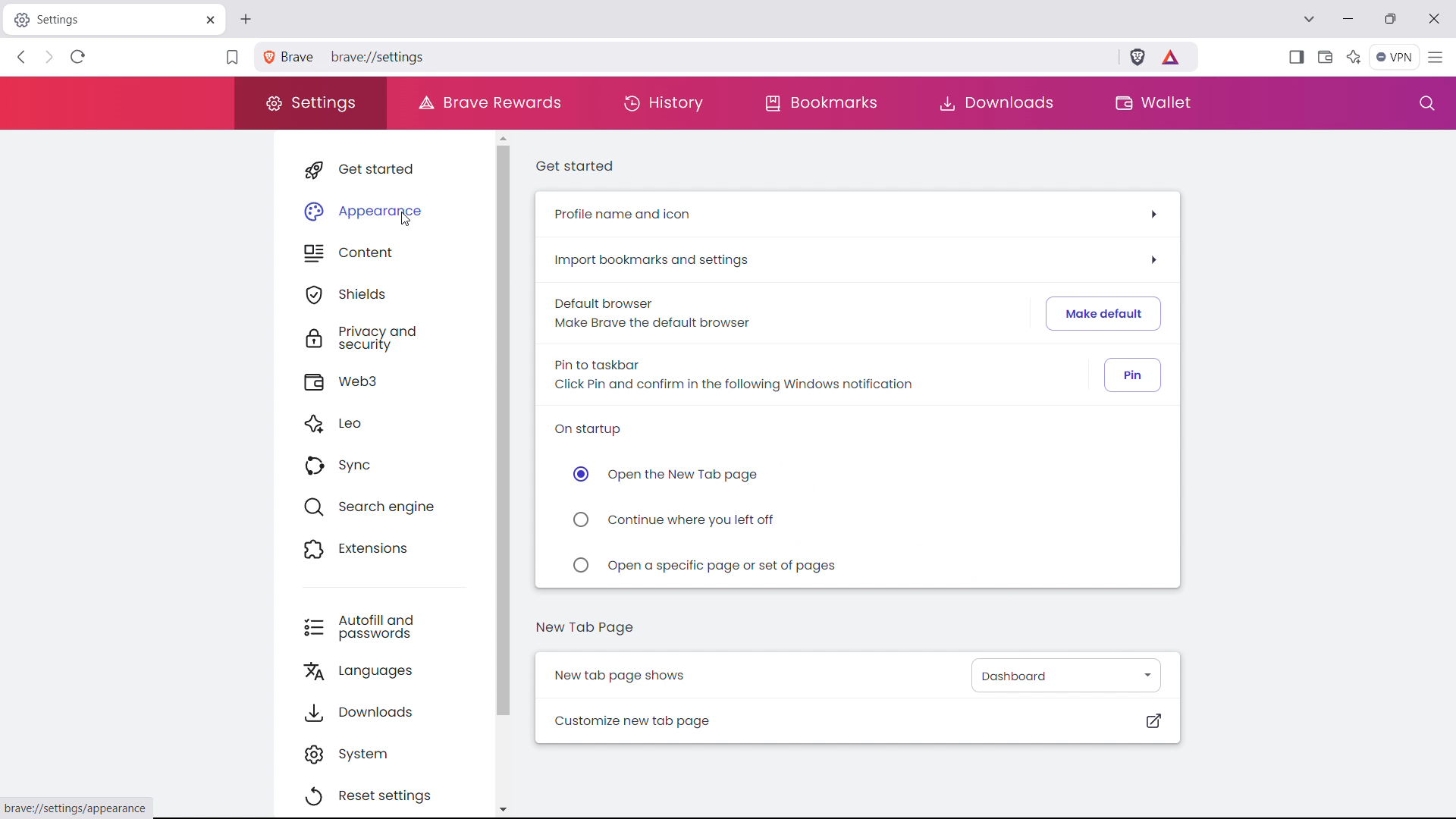 The height and width of the screenshot is (819, 1456). Describe the element at coordinates (730, 372) in the screenshot. I see `Pin to taskbar Click Pin and confirm in the following Windows notification` at that location.